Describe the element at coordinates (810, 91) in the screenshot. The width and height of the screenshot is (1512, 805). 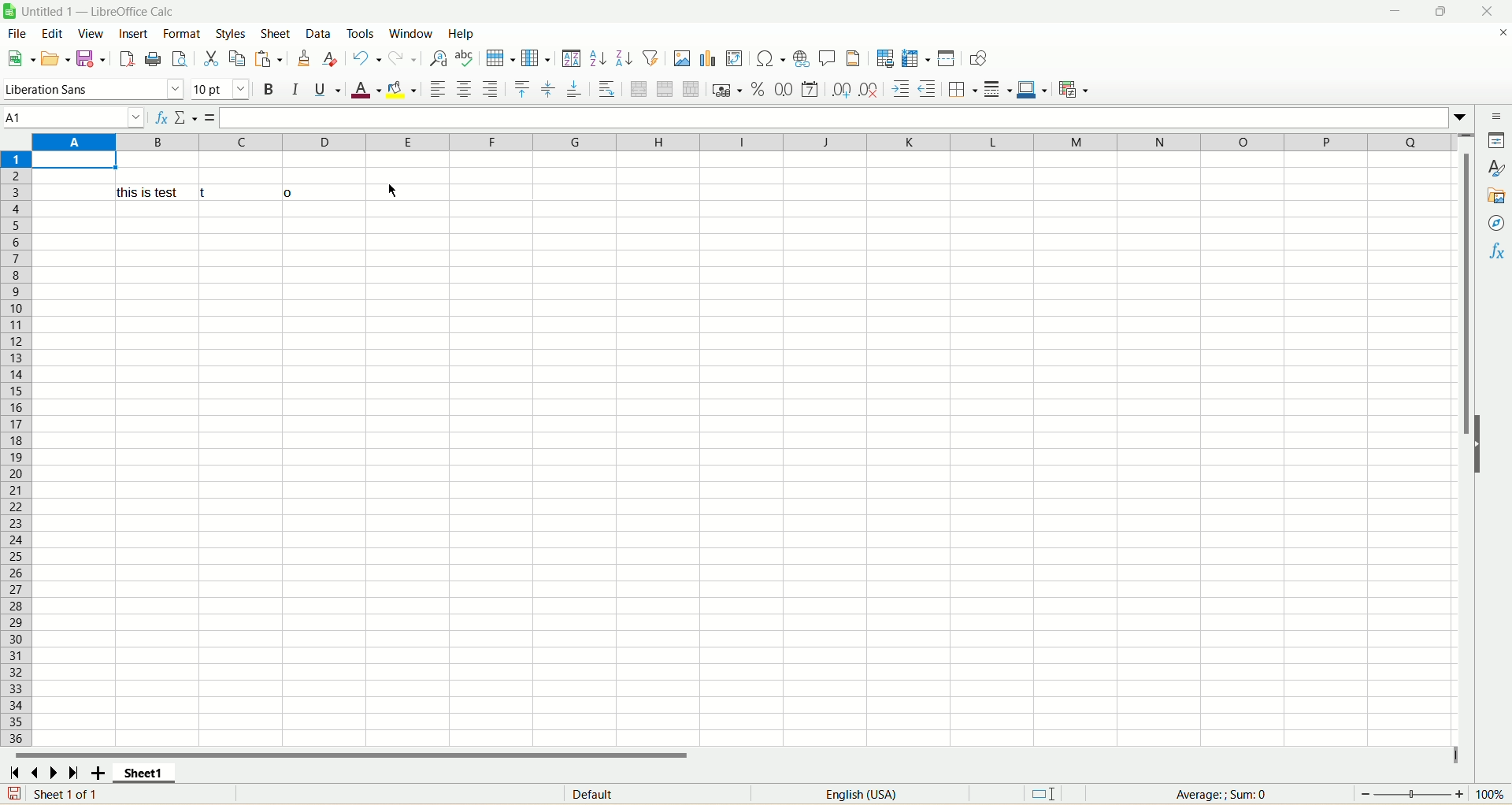
I see `format as date` at that location.